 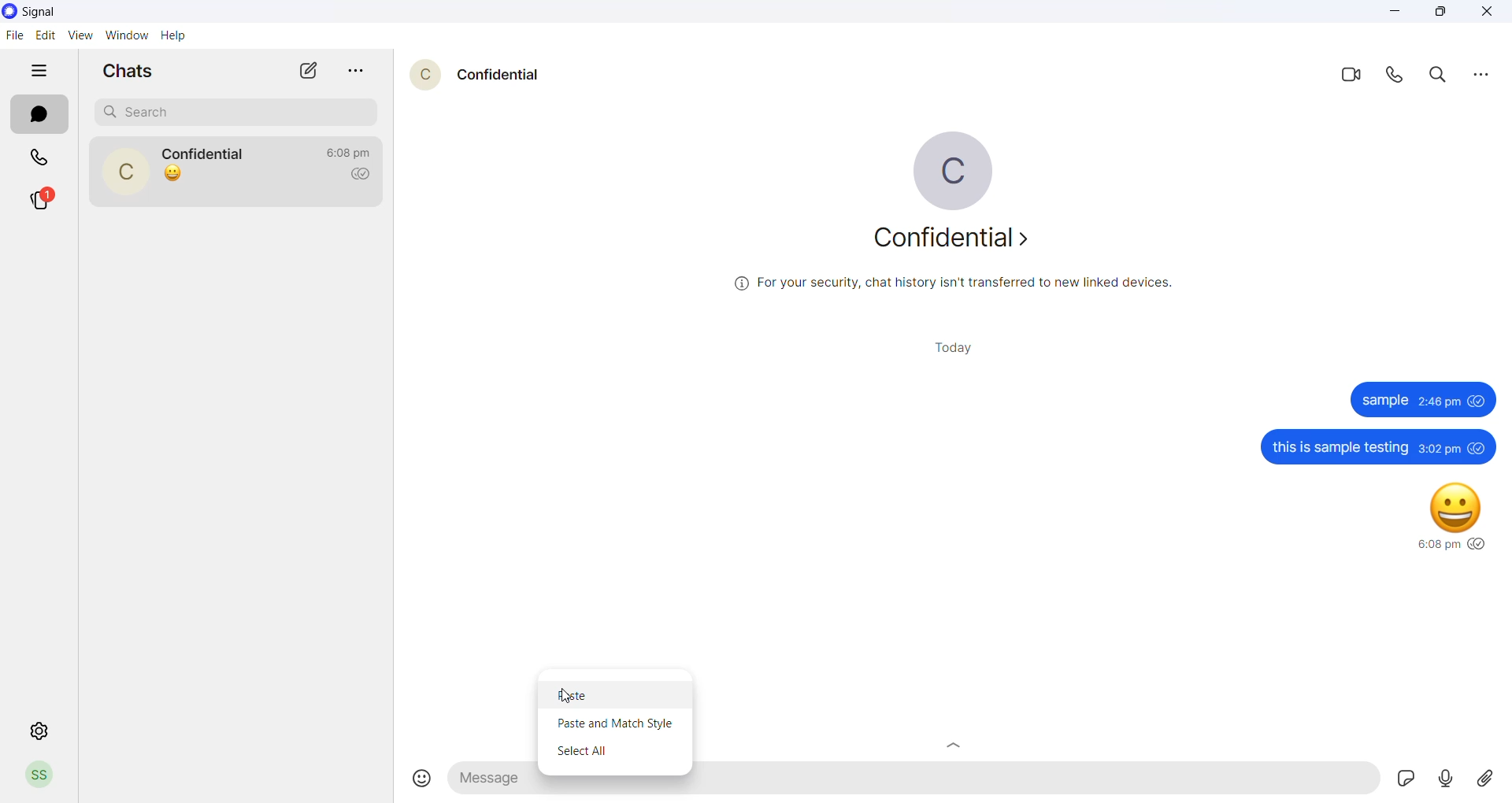 I want to click on stories, so click(x=50, y=198).